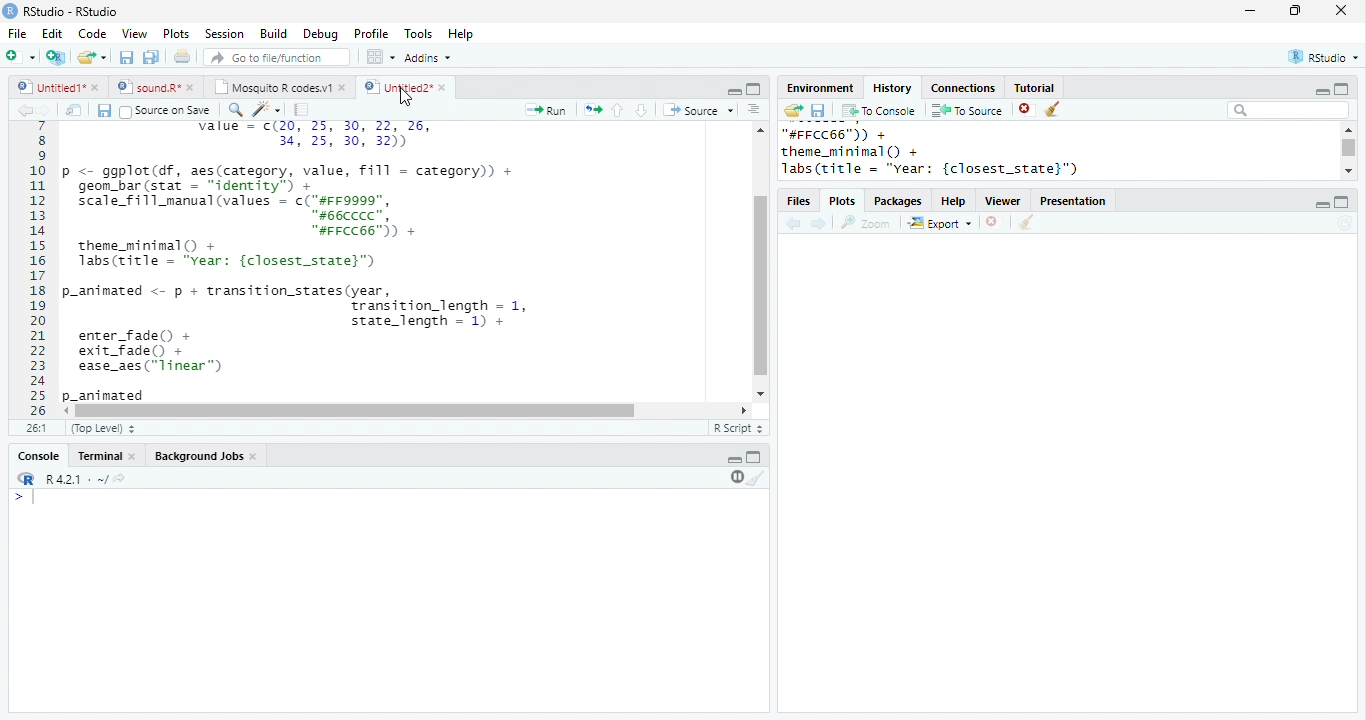 The height and width of the screenshot is (720, 1366). I want to click on forward, so click(819, 224).